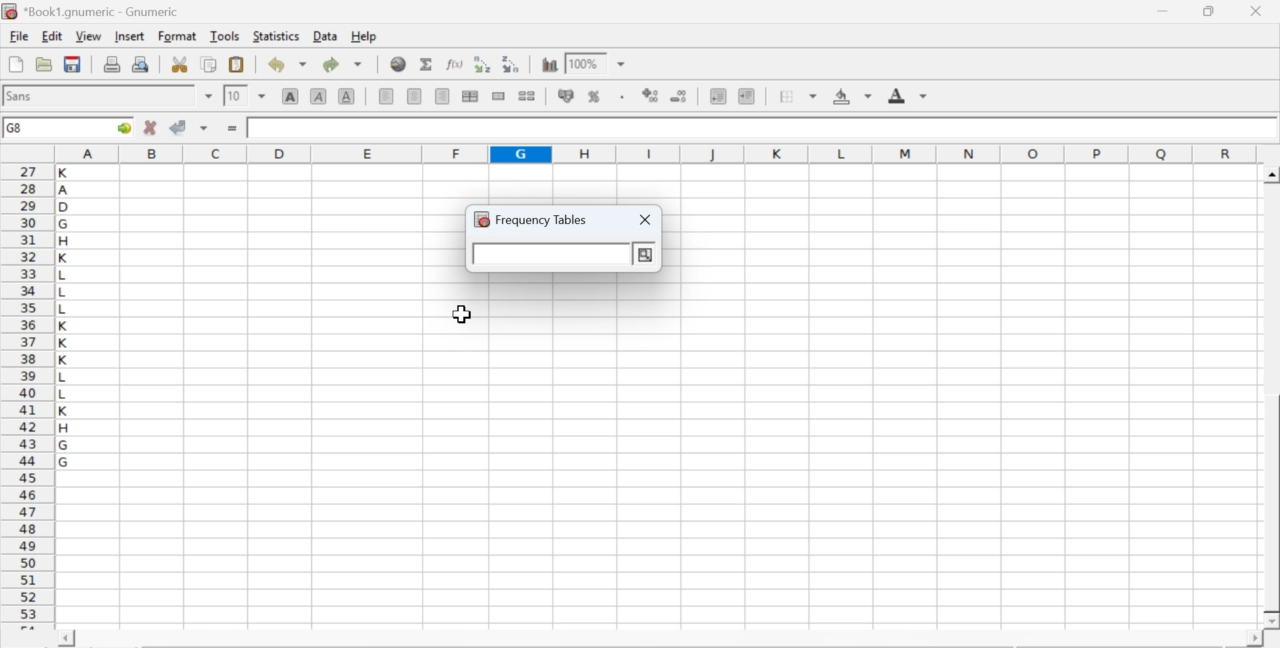 The image size is (1280, 648). Describe the element at coordinates (366, 37) in the screenshot. I see `help` at that location.